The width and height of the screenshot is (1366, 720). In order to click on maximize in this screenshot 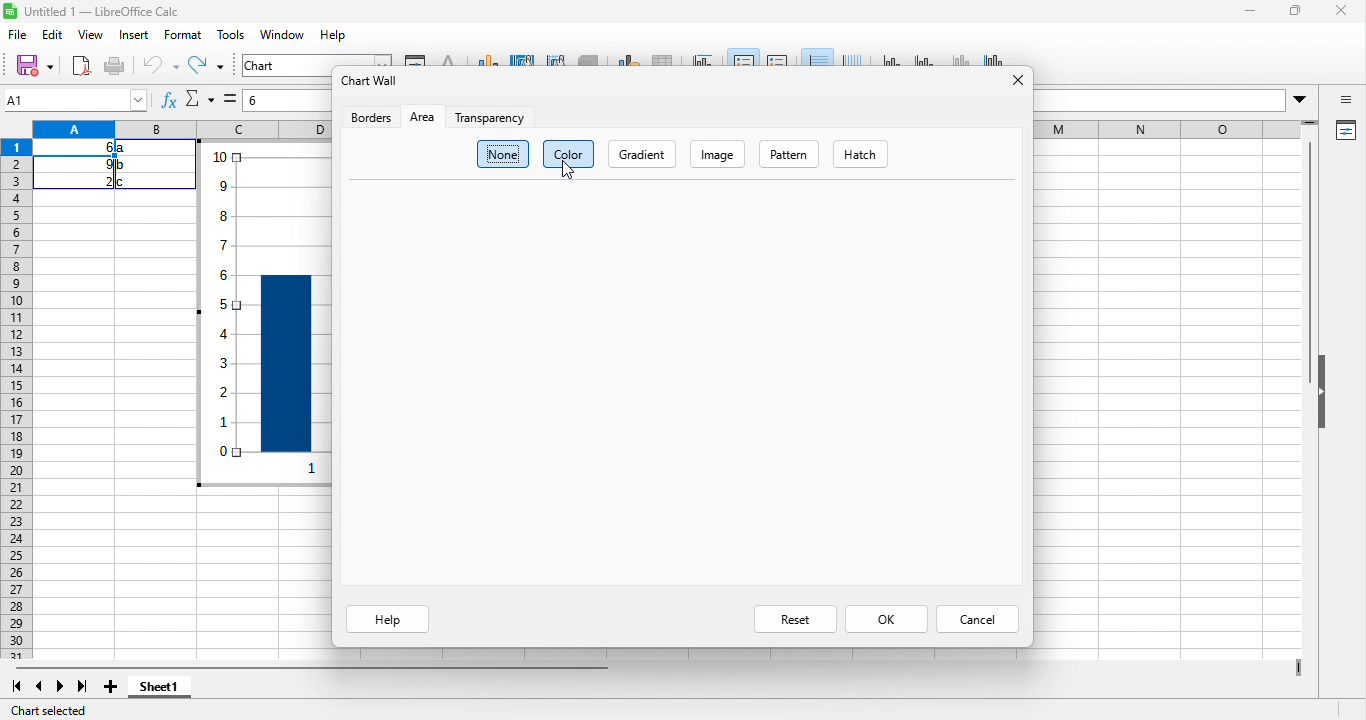, I will do `click(1294, 12)`.